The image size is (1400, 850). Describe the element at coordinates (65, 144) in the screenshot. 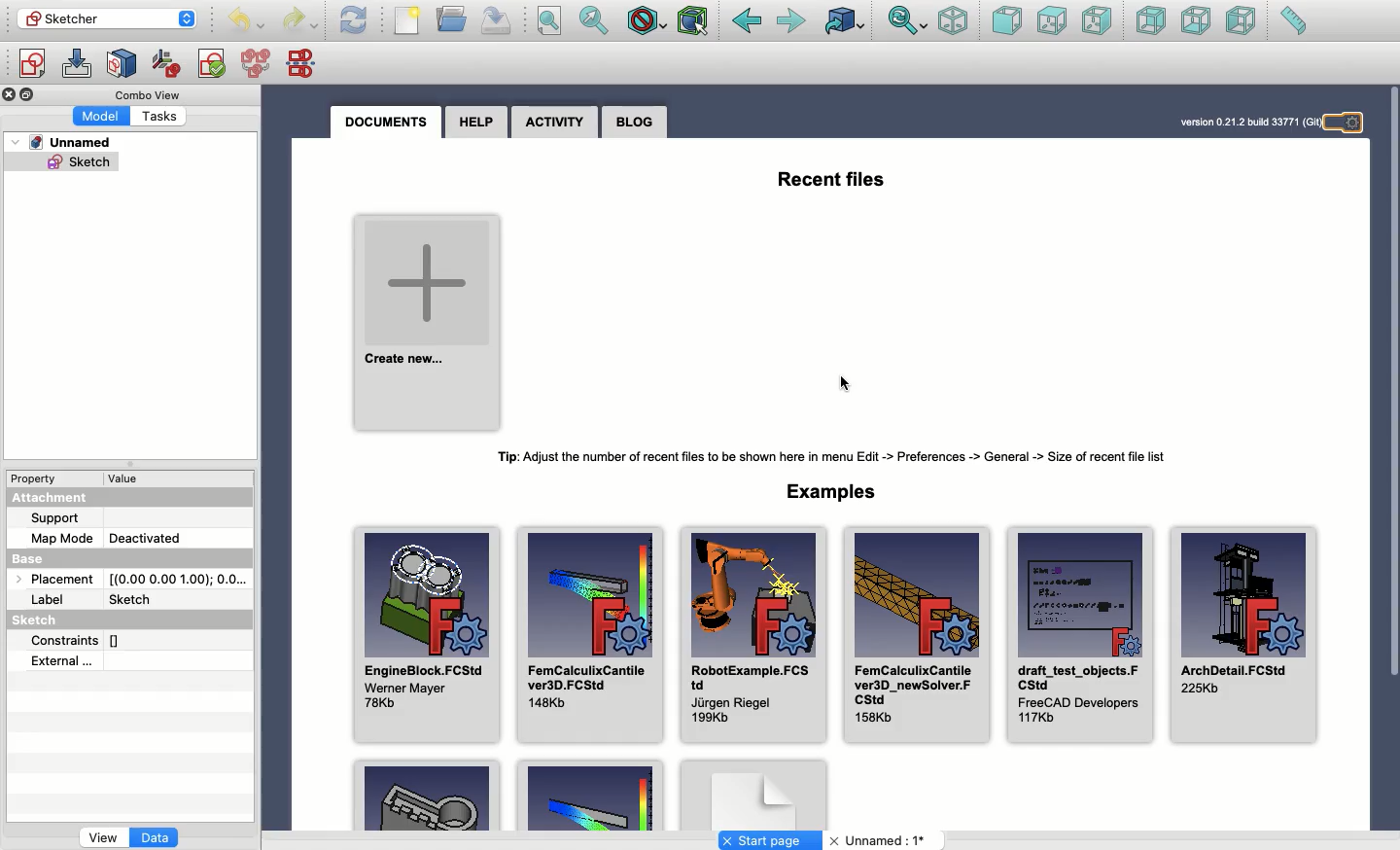

I see `Unnamed` at that location.